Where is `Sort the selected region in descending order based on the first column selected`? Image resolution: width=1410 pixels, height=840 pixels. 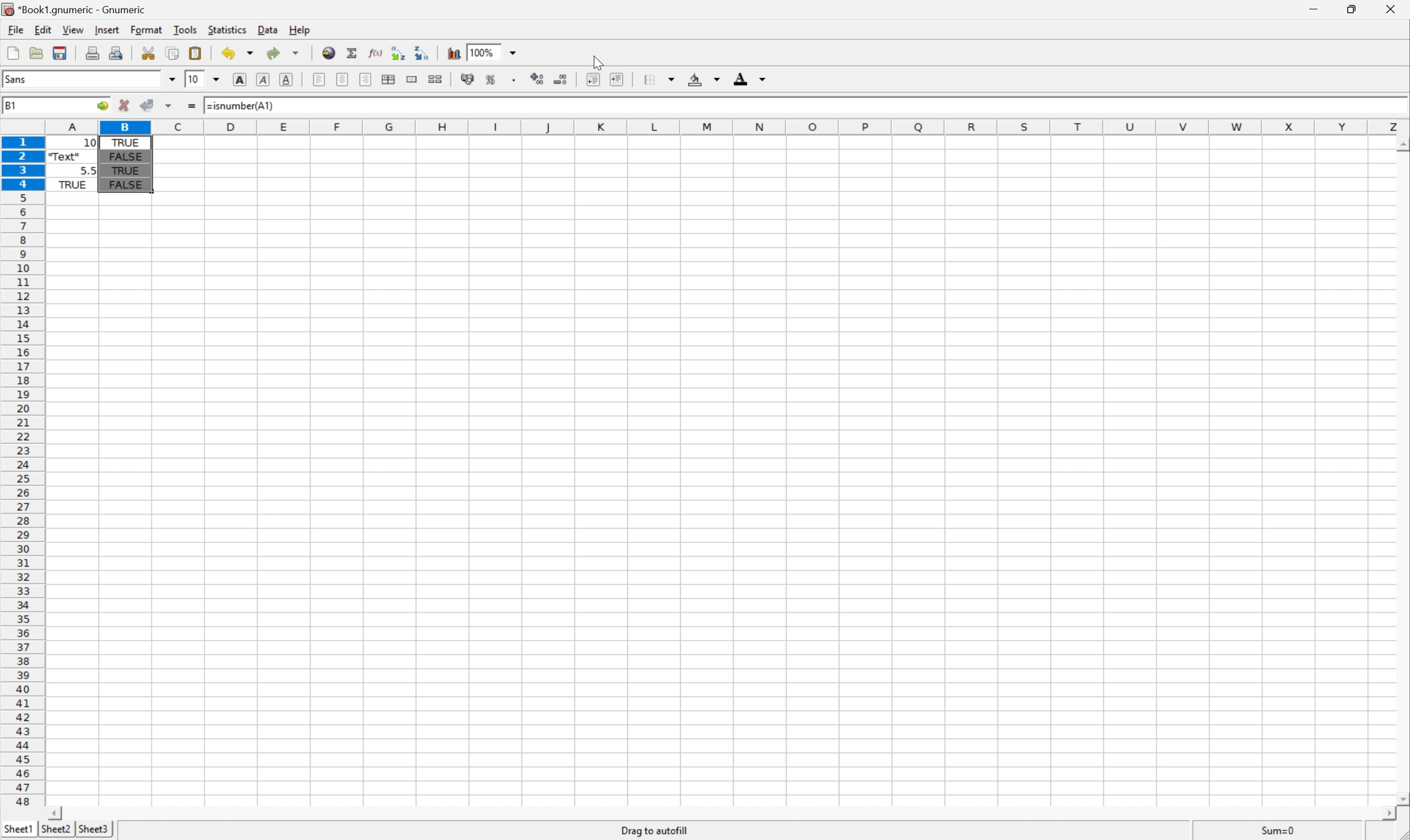 Sort the selected region in descending order based on the first column selected is located at coordinates (399, 53).